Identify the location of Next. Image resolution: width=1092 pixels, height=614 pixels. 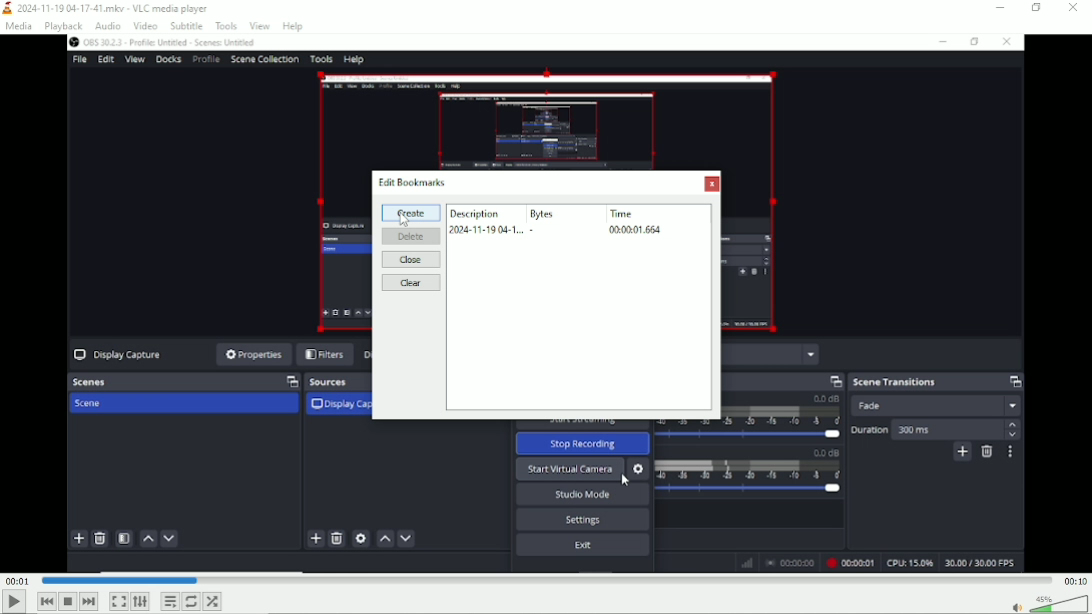
(88, 601).